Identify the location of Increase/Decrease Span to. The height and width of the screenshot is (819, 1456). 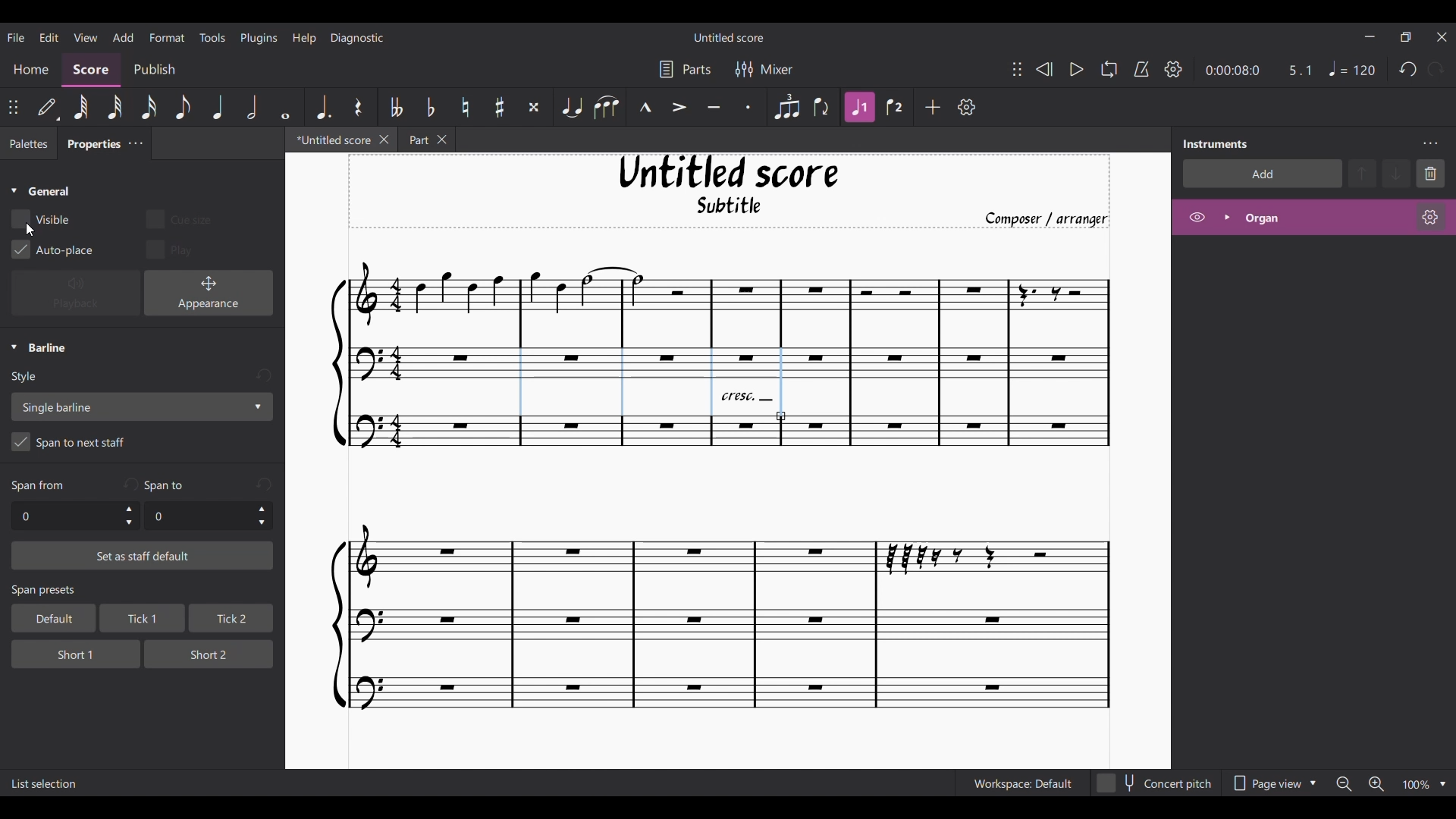
(262, 516).